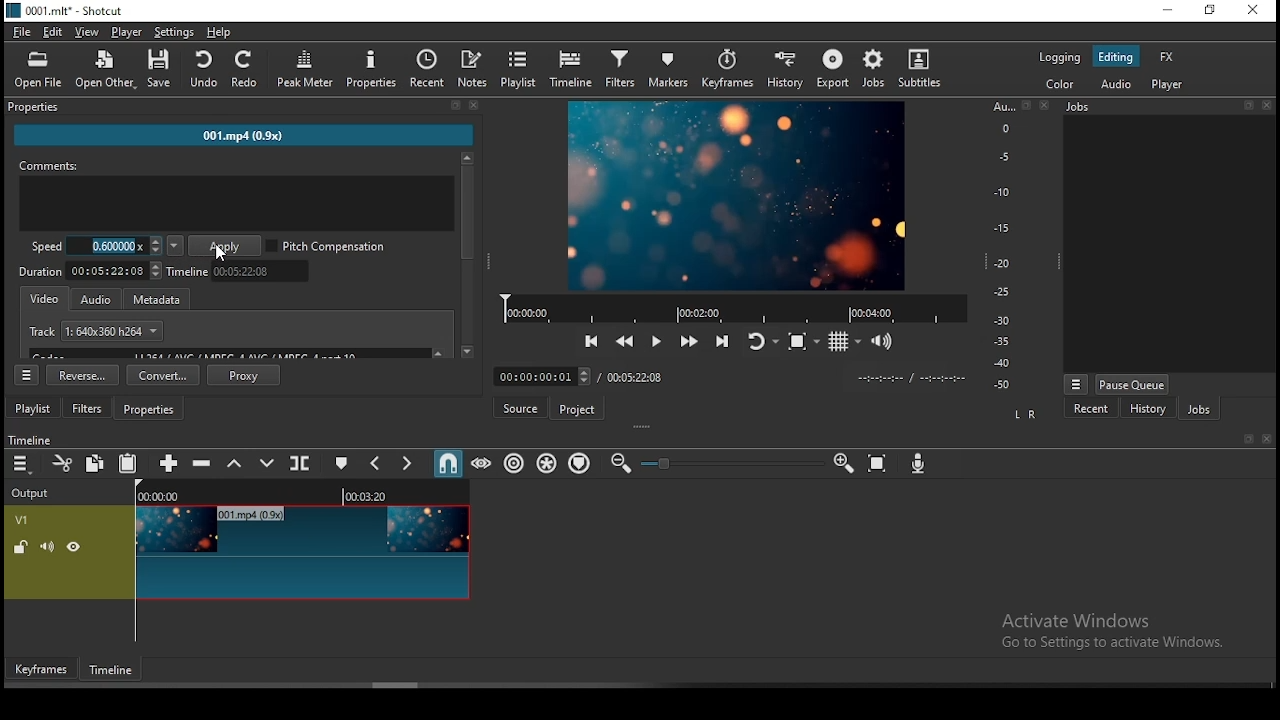 This screenshot has height=720, width=1280. Describe the element at coordinates (127, 31) in the screenshot. I see `player` at that location.